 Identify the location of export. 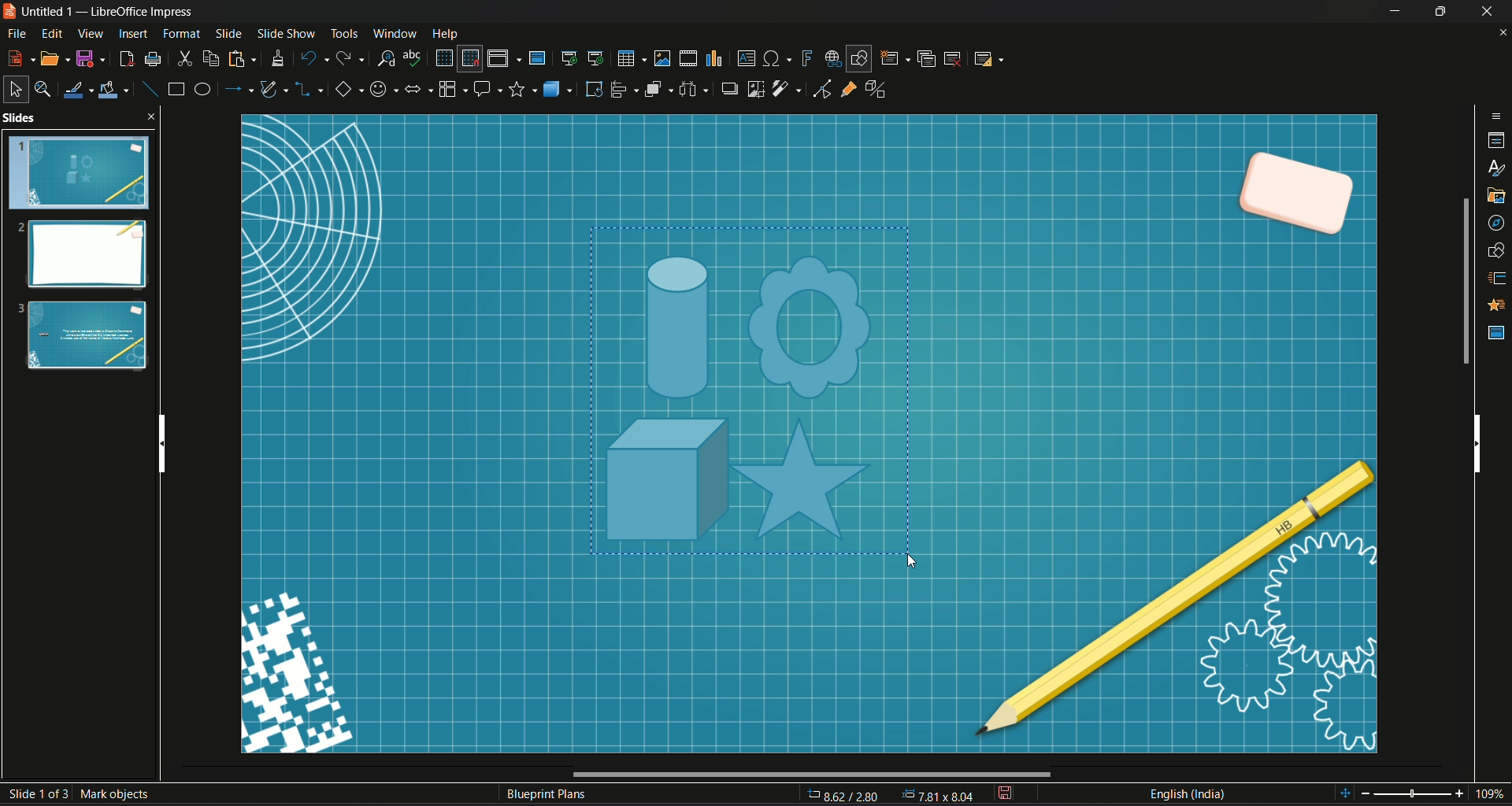
(124, 59).